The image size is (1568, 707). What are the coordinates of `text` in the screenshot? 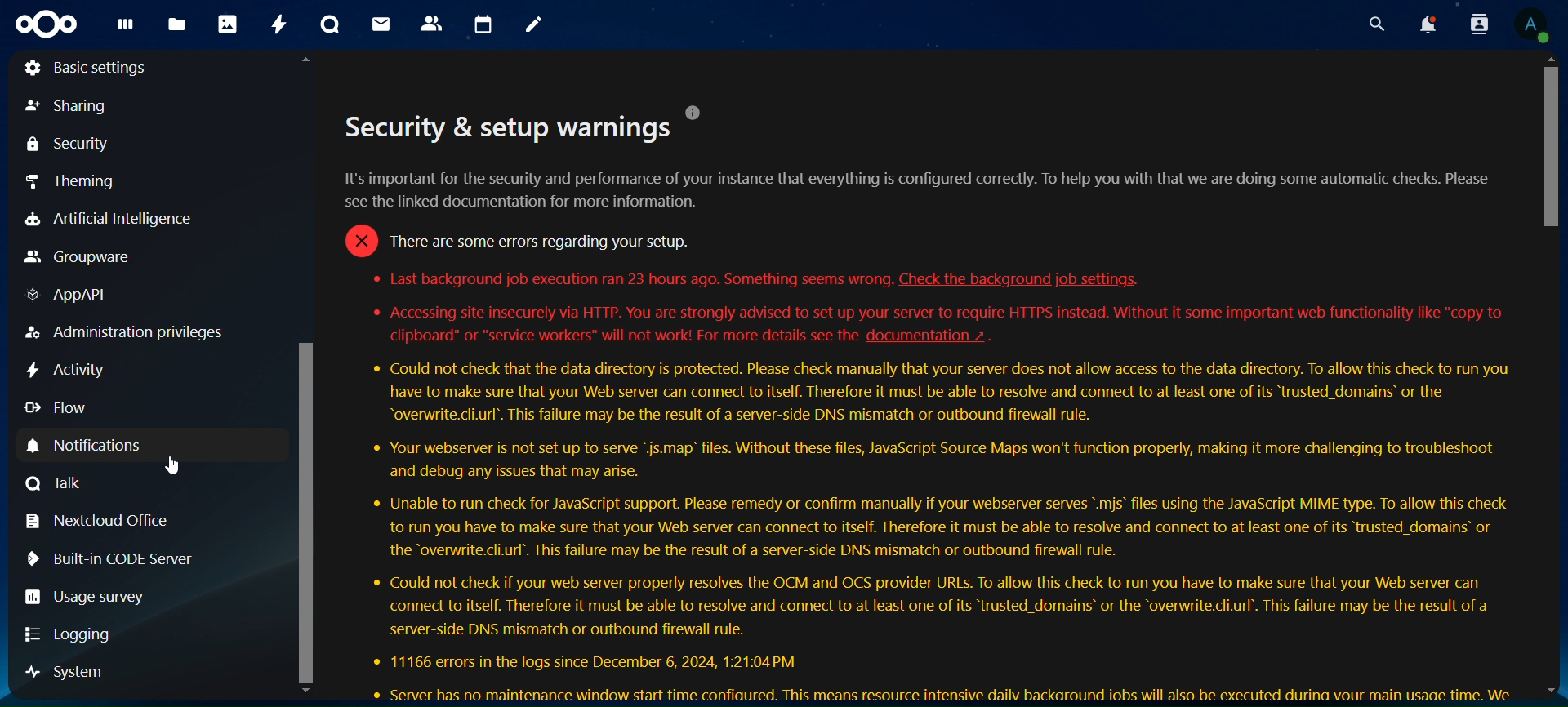 It's located at (928, 402).